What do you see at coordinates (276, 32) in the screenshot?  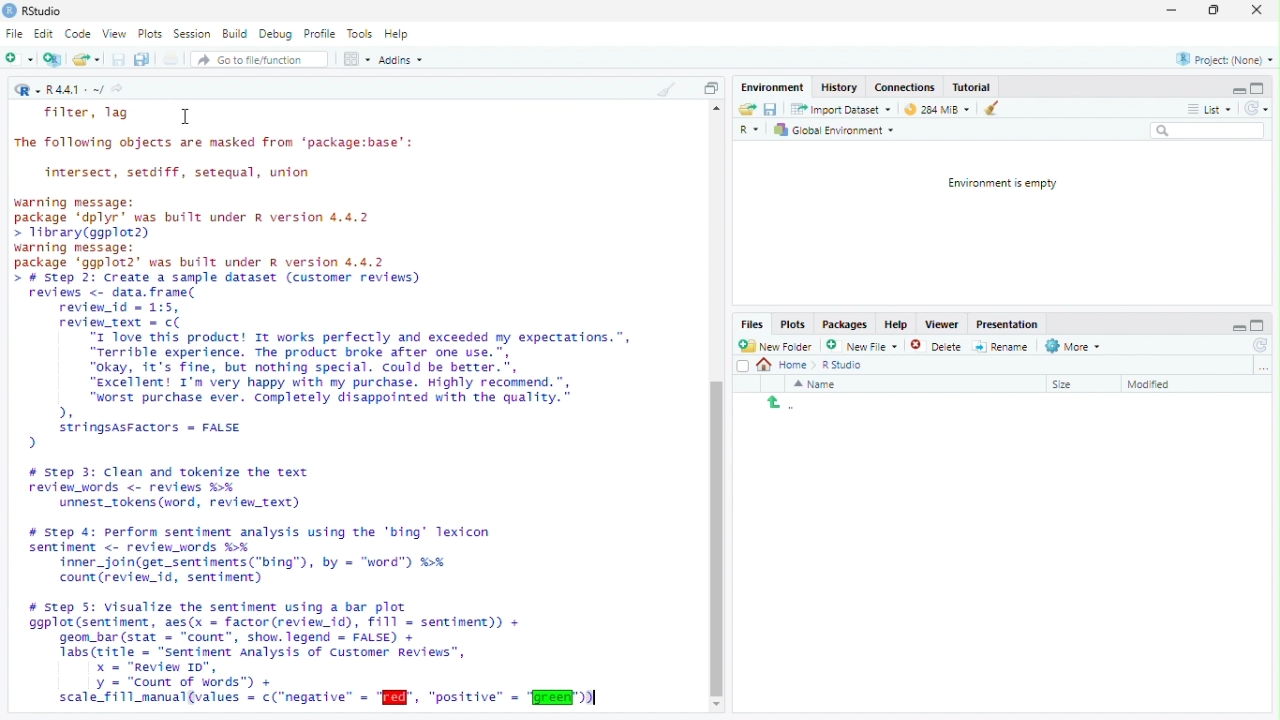 I see `Debug` at bounding box center [276, 32].